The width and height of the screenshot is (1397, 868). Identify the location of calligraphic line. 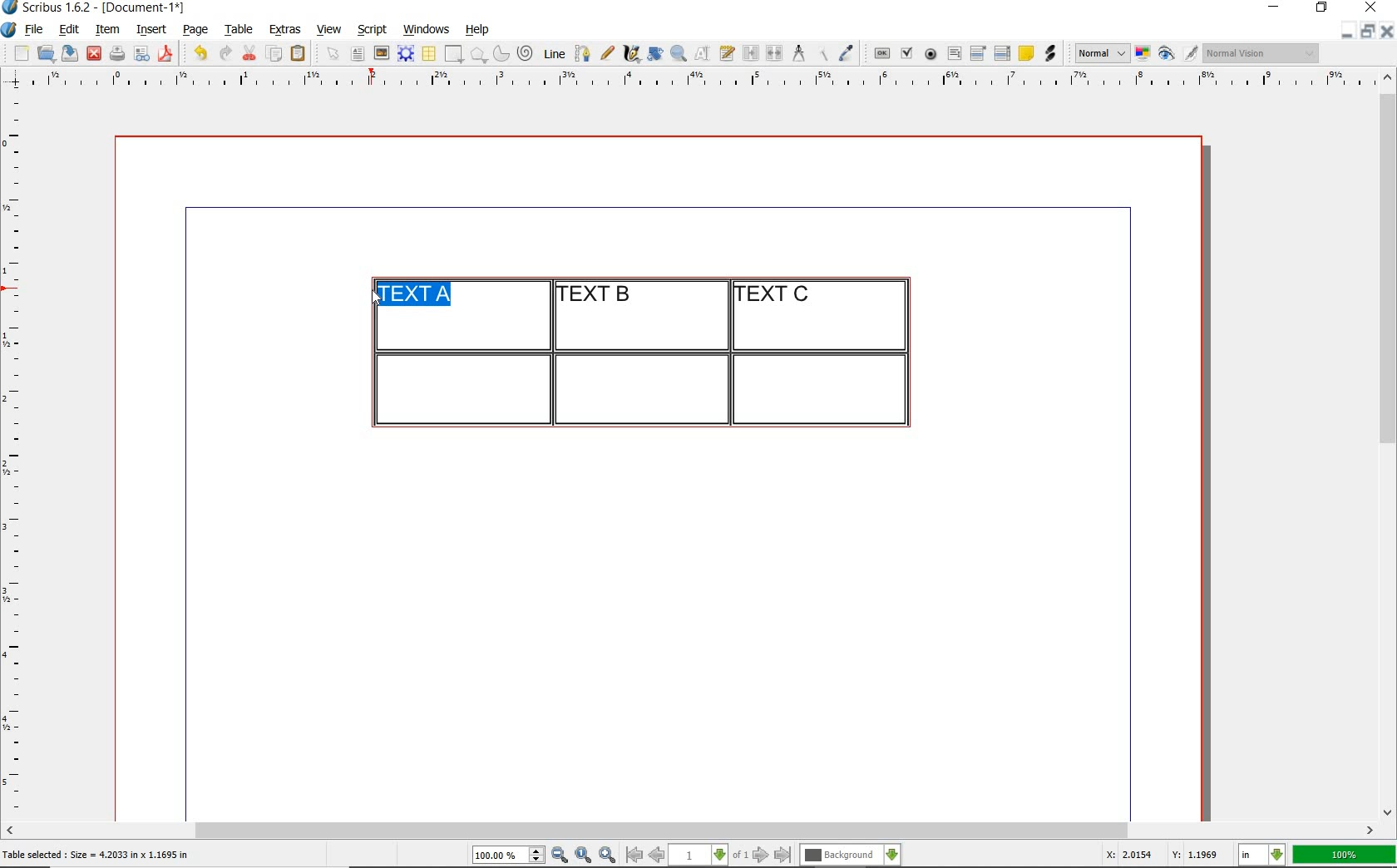
(633, 53).